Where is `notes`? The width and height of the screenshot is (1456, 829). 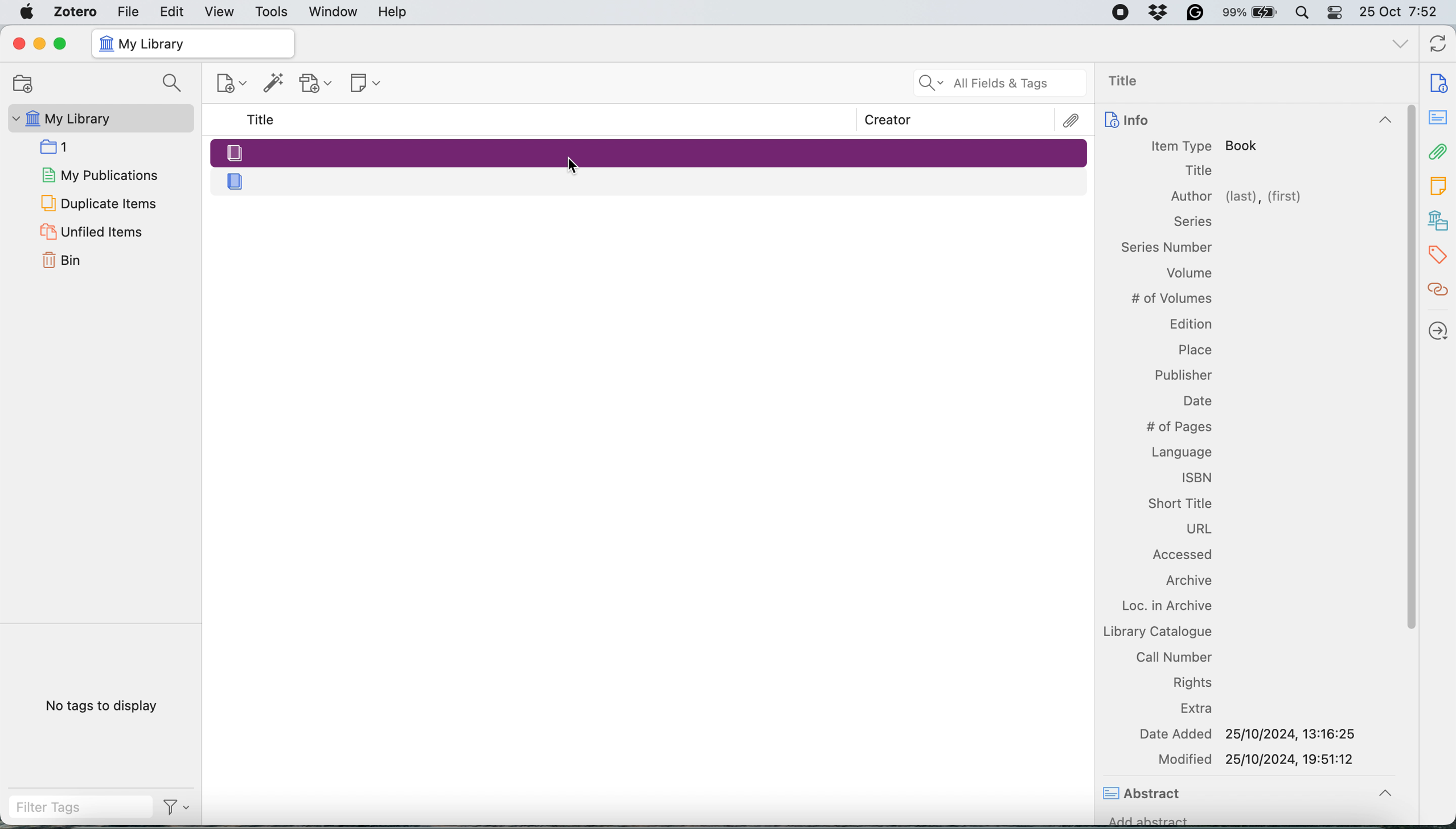
notes is located at coordinates (1439, 118).